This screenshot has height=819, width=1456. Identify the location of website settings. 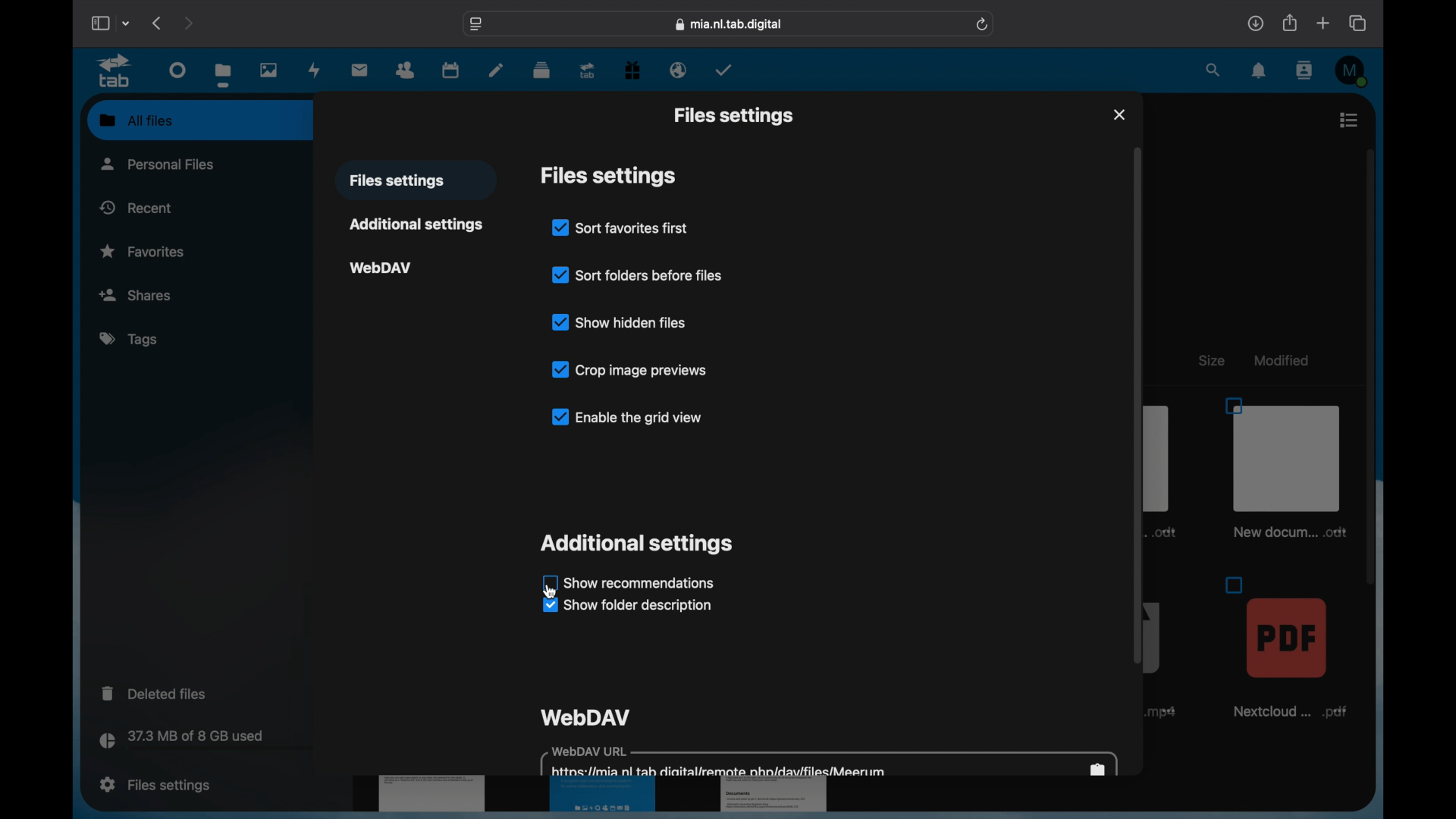
(476, 24).